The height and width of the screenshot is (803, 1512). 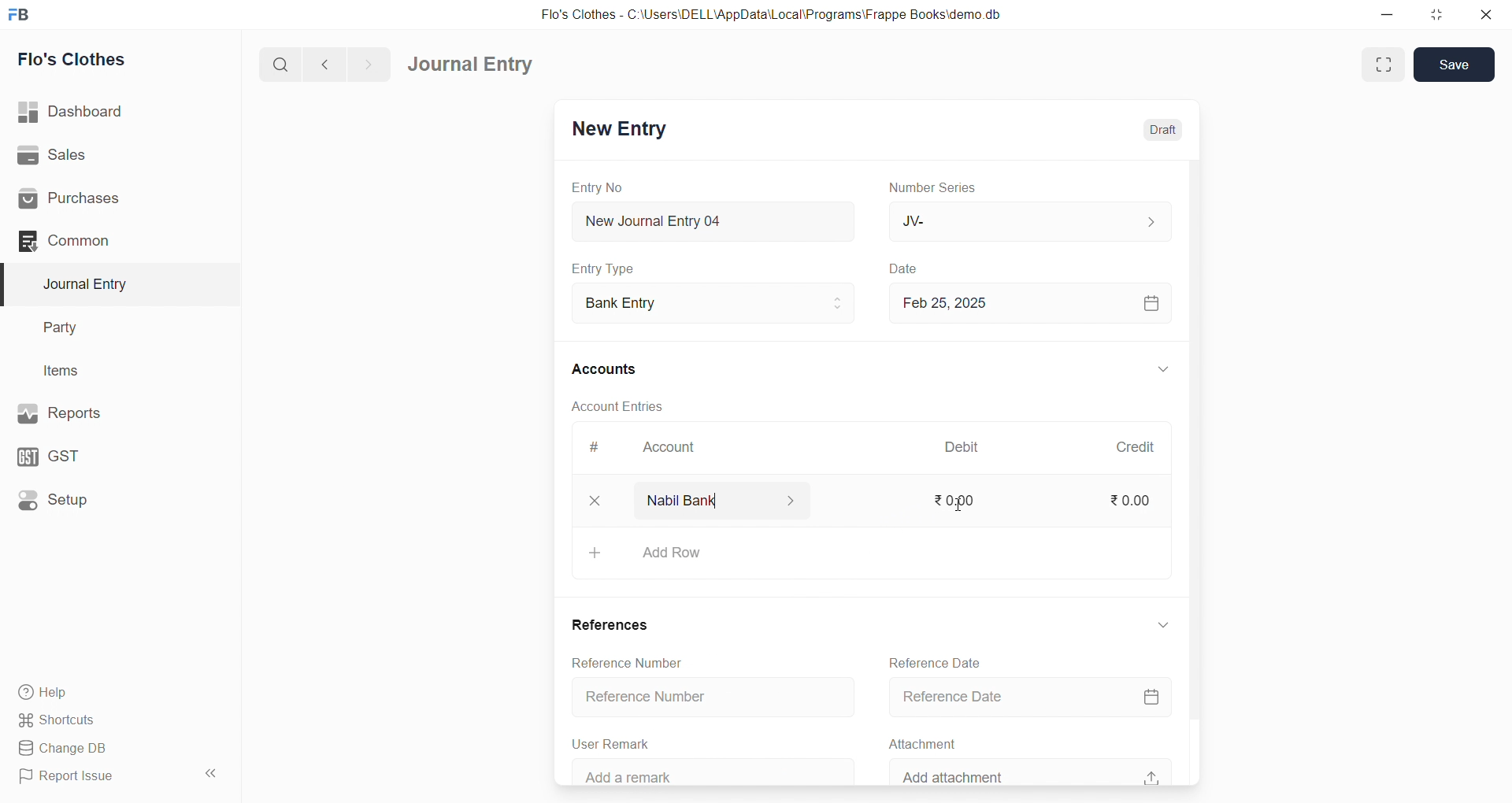 I want to click on Date, so click(x=906, y=269).